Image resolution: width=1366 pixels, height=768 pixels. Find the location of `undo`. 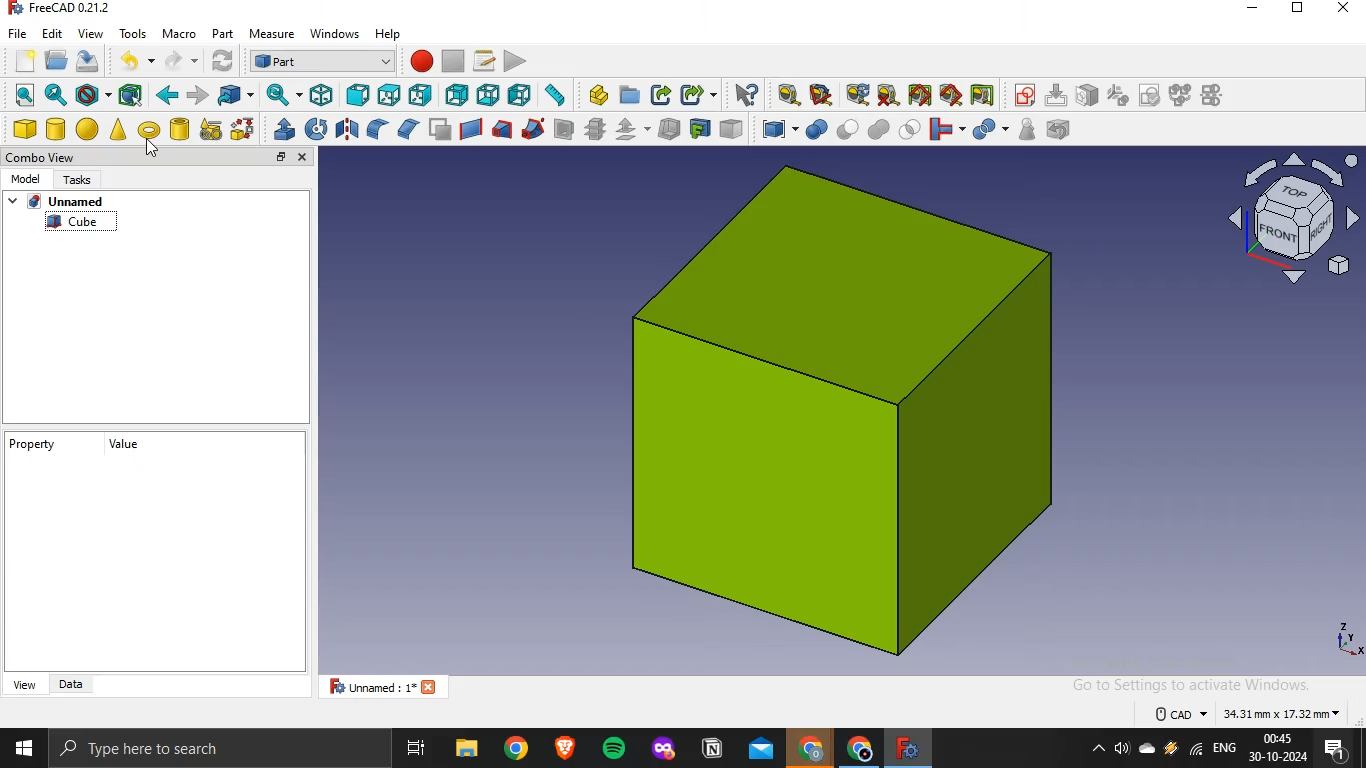

undo is located at coordinates (131, 61).